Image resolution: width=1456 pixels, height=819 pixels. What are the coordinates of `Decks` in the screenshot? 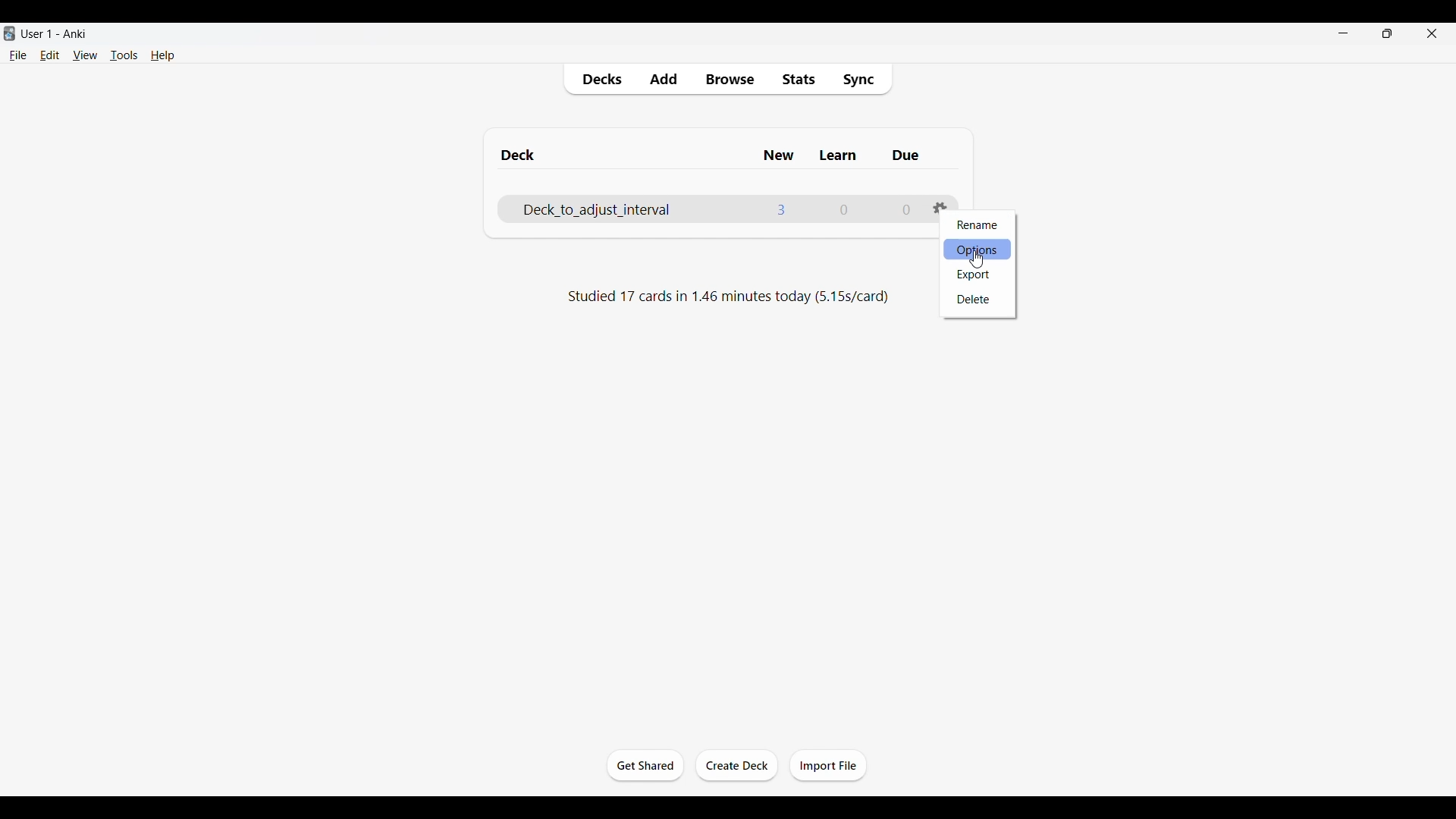 It's located at (598, 79).